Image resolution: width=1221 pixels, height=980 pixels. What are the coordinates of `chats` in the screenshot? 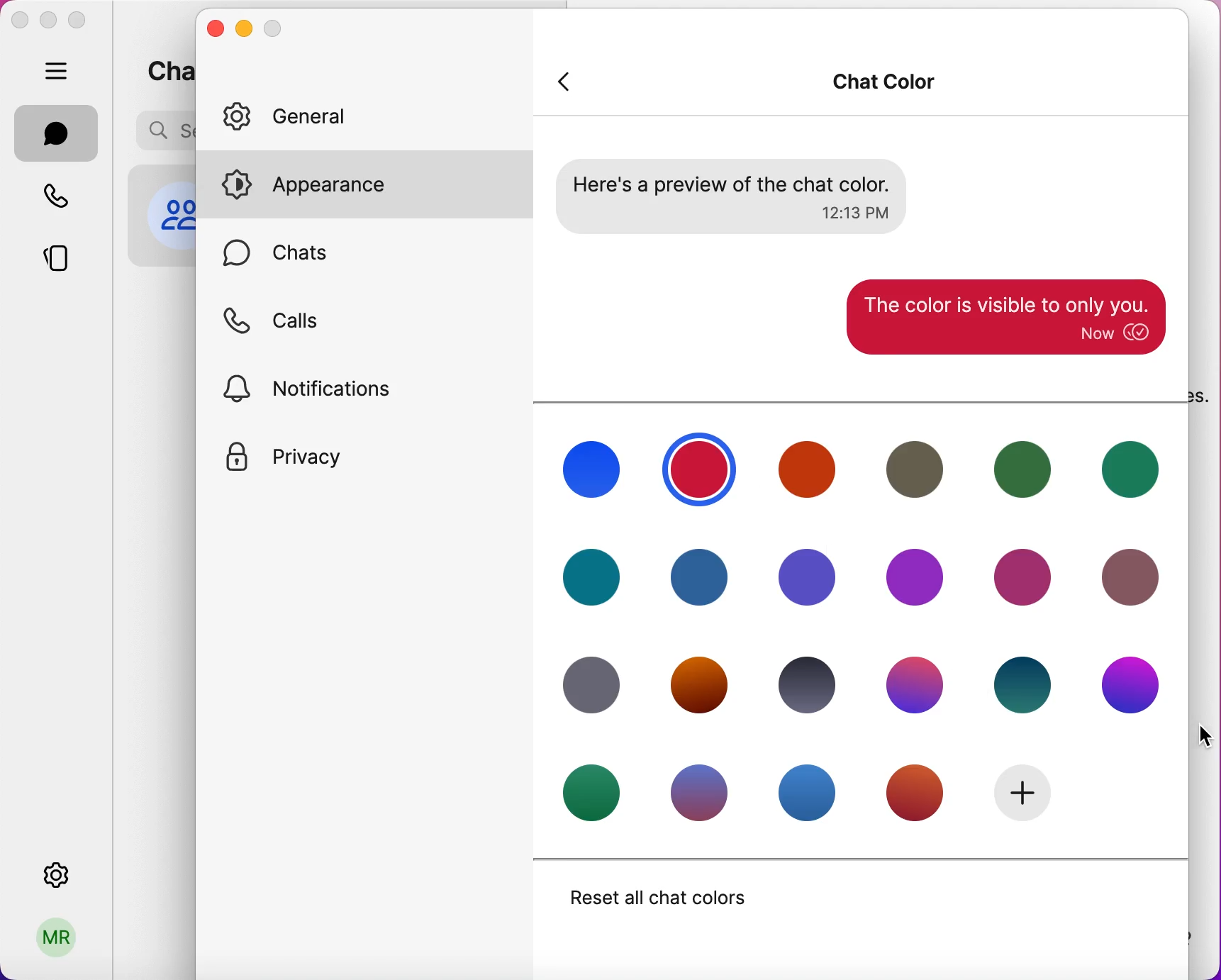 It's located at (303, 253).